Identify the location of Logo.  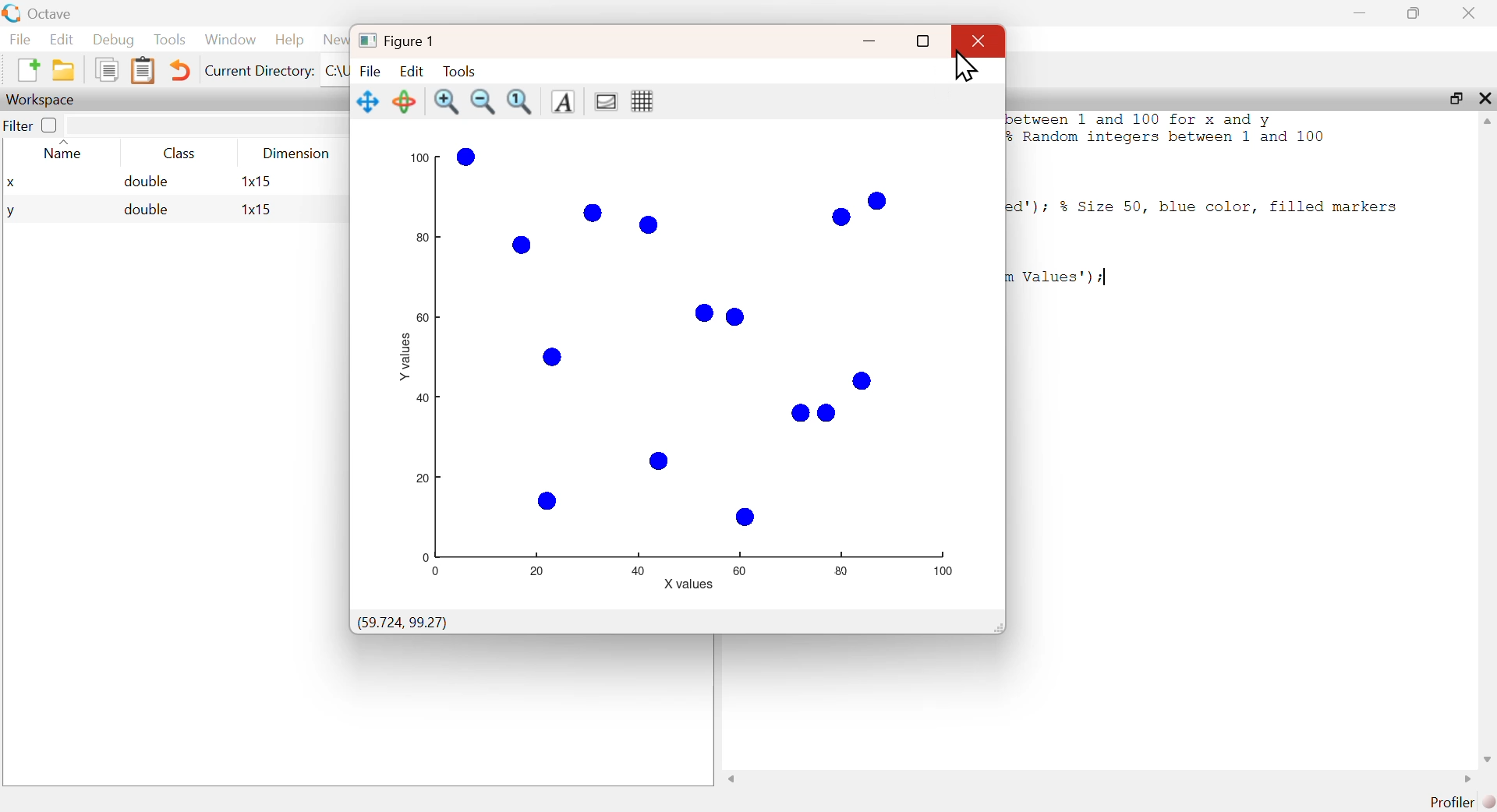
(12, 14).